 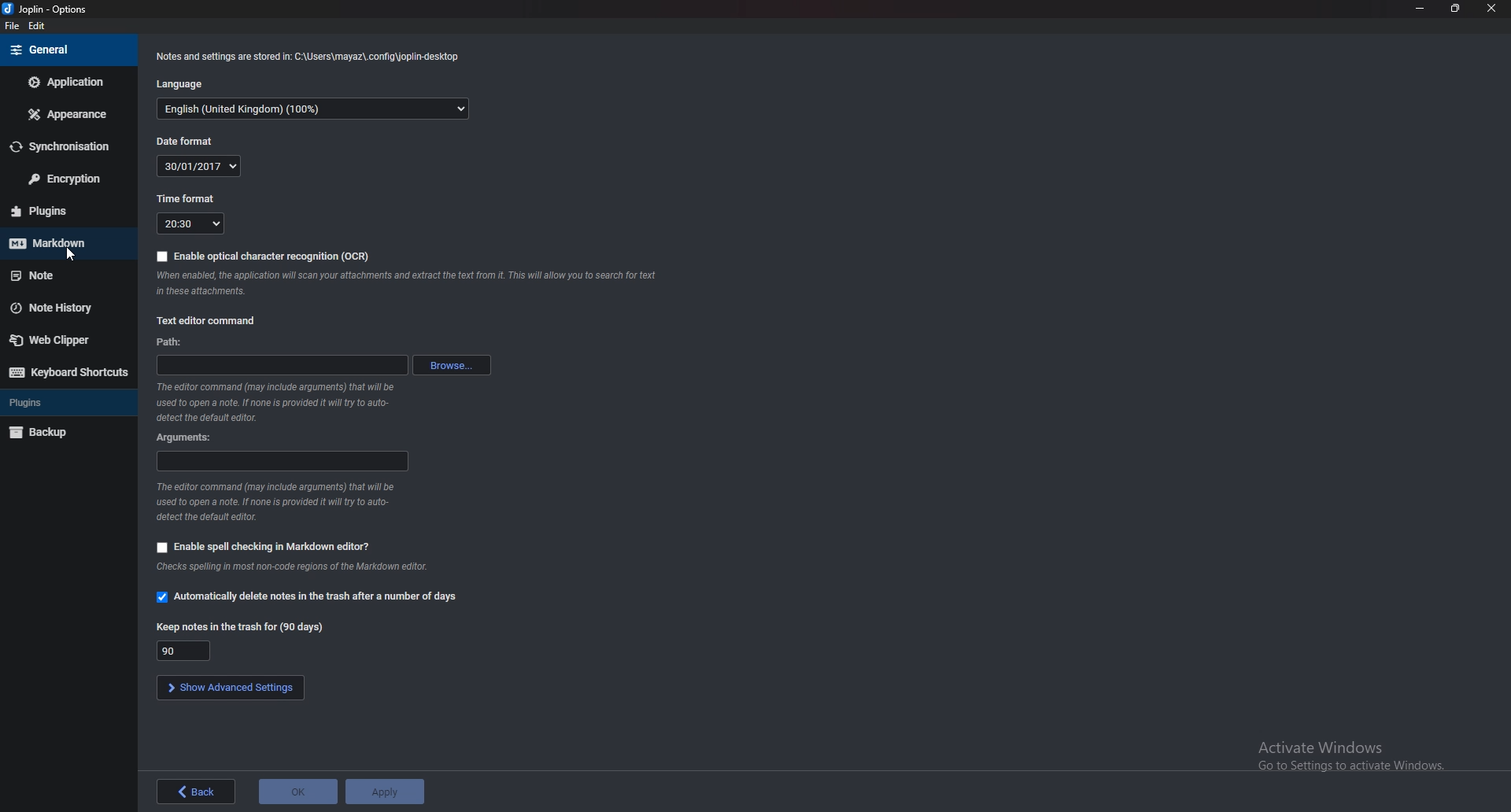 What do you see at coordinates (68, 179) in the screenshot?
I see `Encryption` at bounding box center [68, 179].